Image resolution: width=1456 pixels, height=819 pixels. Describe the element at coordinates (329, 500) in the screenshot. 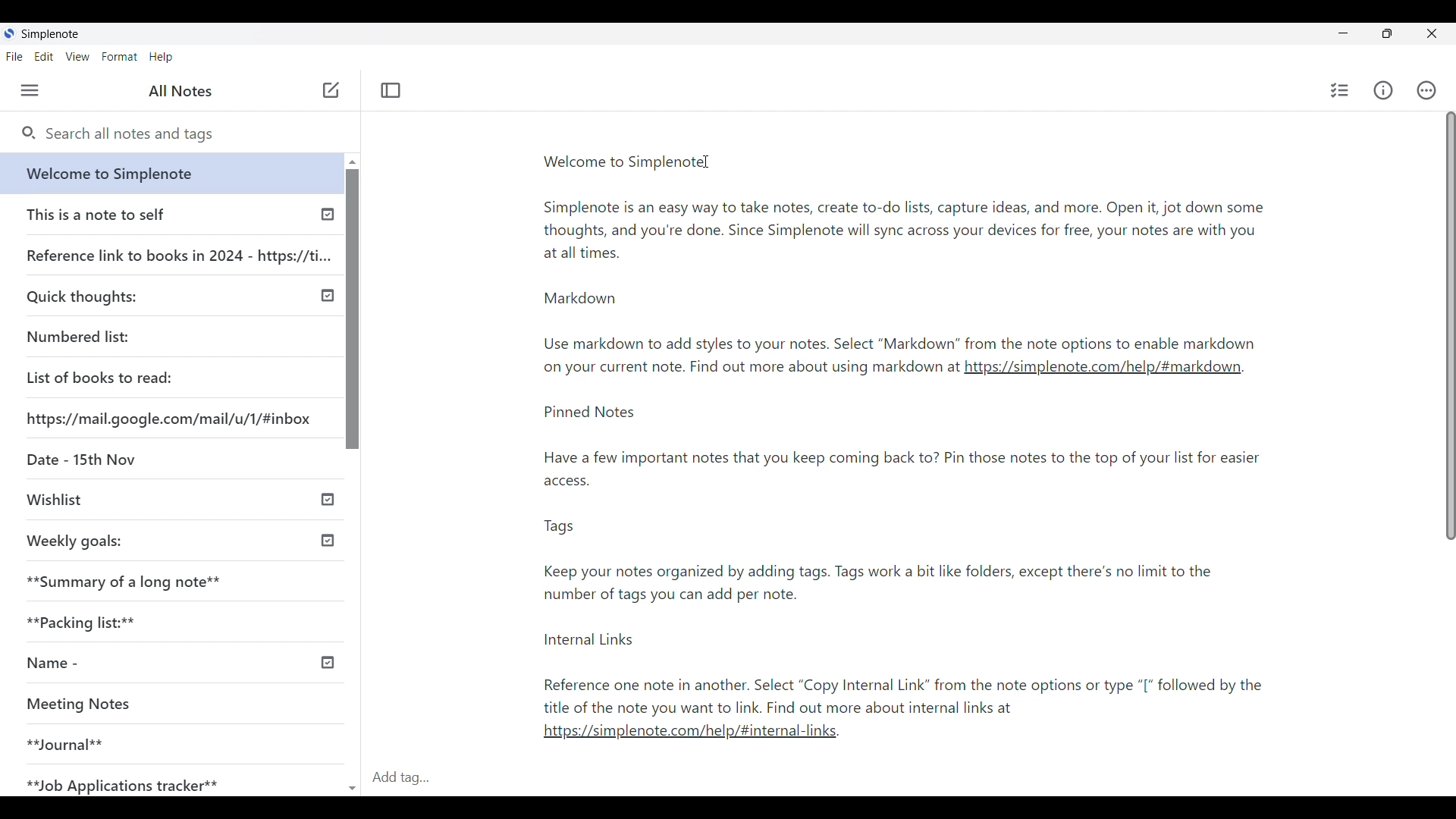

I see `Check icon indicates published notes` at that location.